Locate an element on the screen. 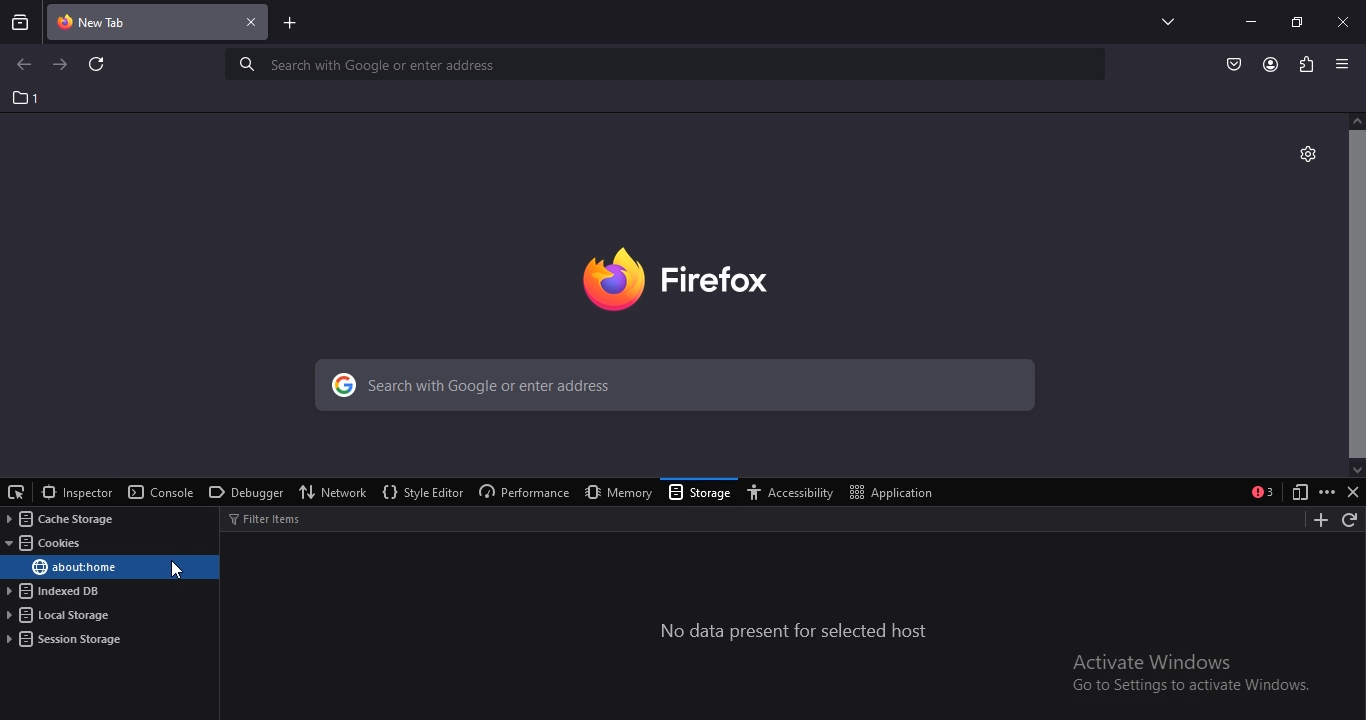  application is located at coordinates (895, 491).